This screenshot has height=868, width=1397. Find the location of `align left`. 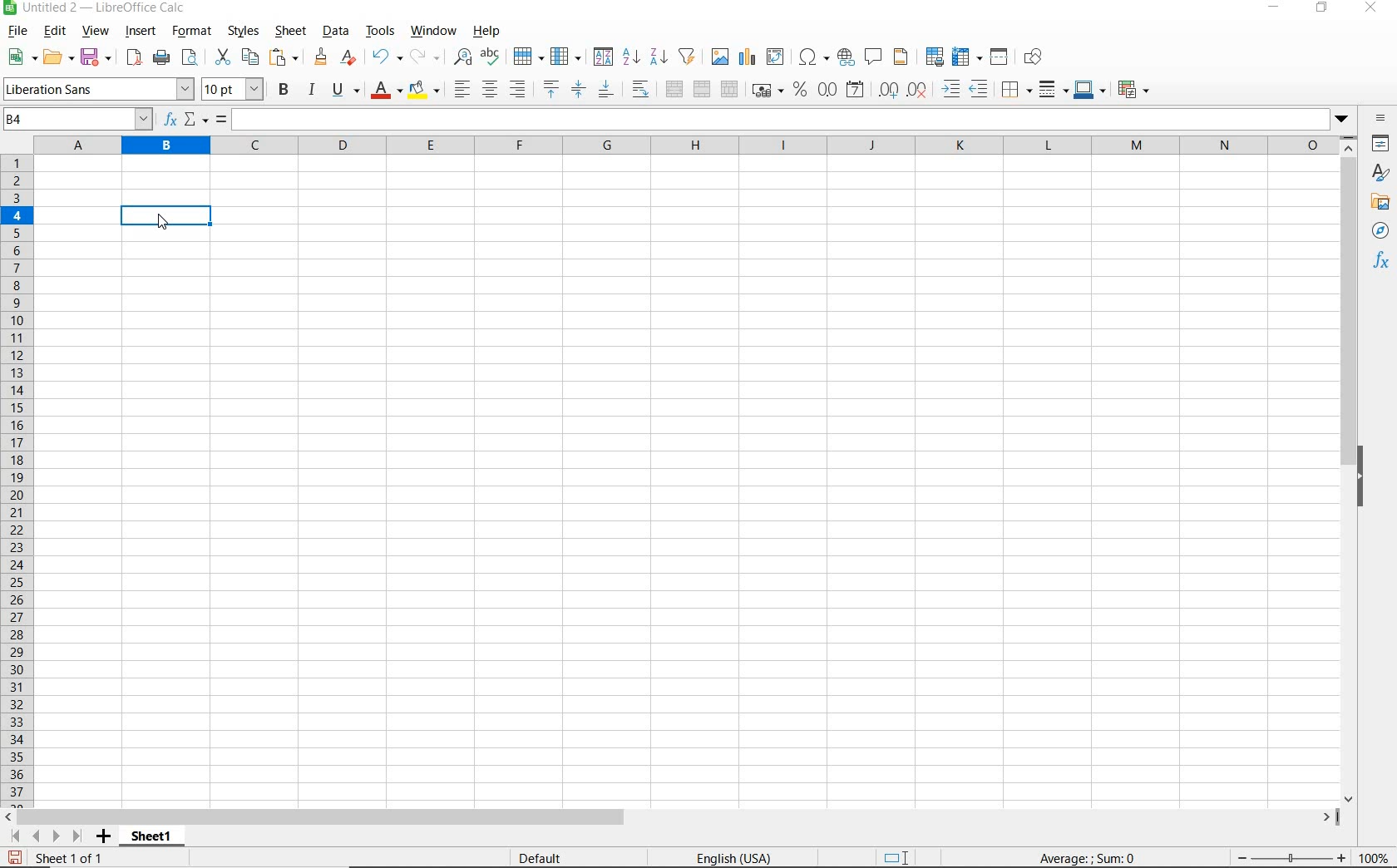

align left is located at coordinates (461, 89).